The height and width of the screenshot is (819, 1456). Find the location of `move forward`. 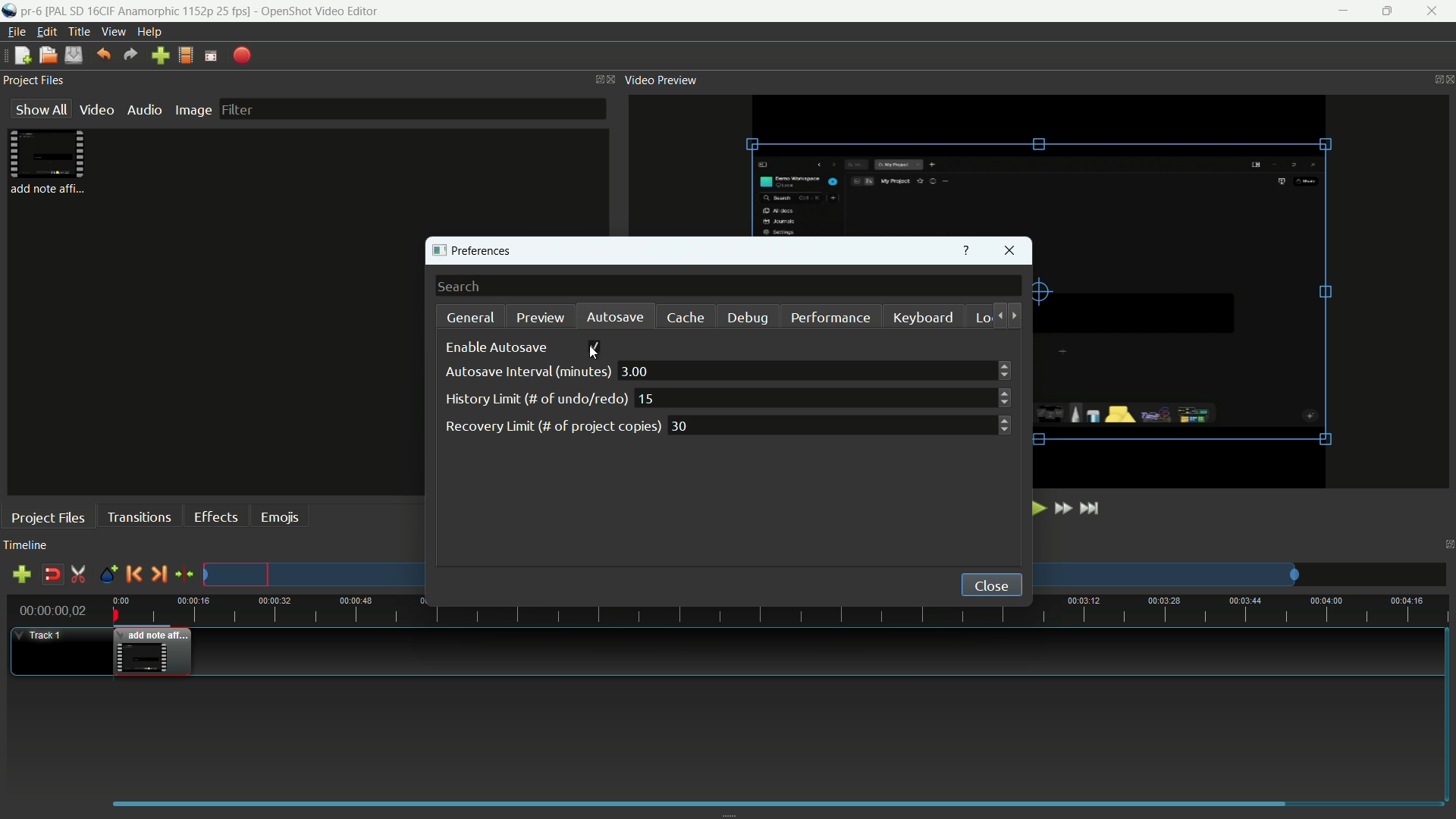

move forward is located at coordinates (1015, 315).